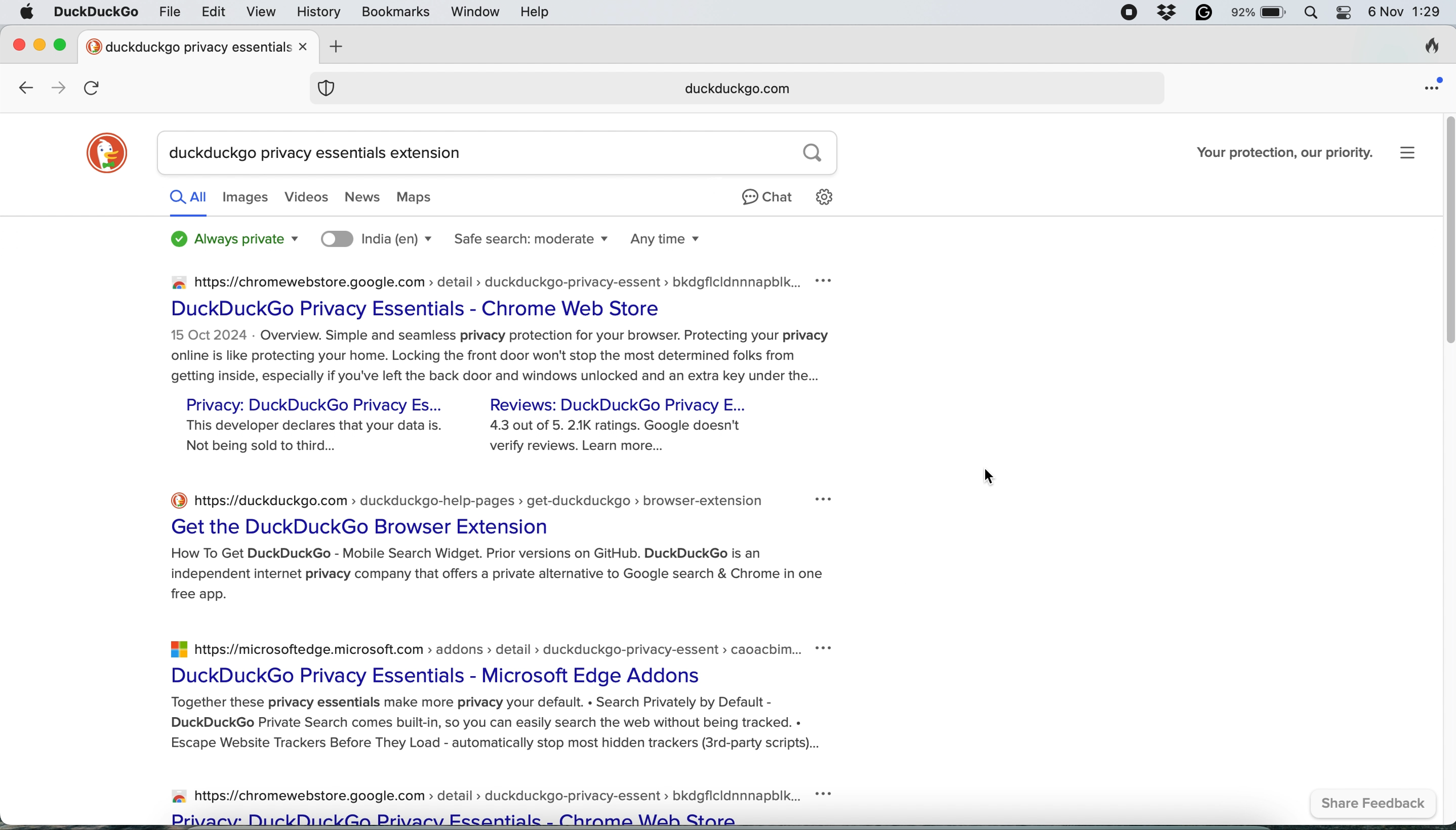 The width and height of the screenshot is (1456, 830). Describe the element at coordinates (249, 198) in the screenshot. I see `images` at that location.